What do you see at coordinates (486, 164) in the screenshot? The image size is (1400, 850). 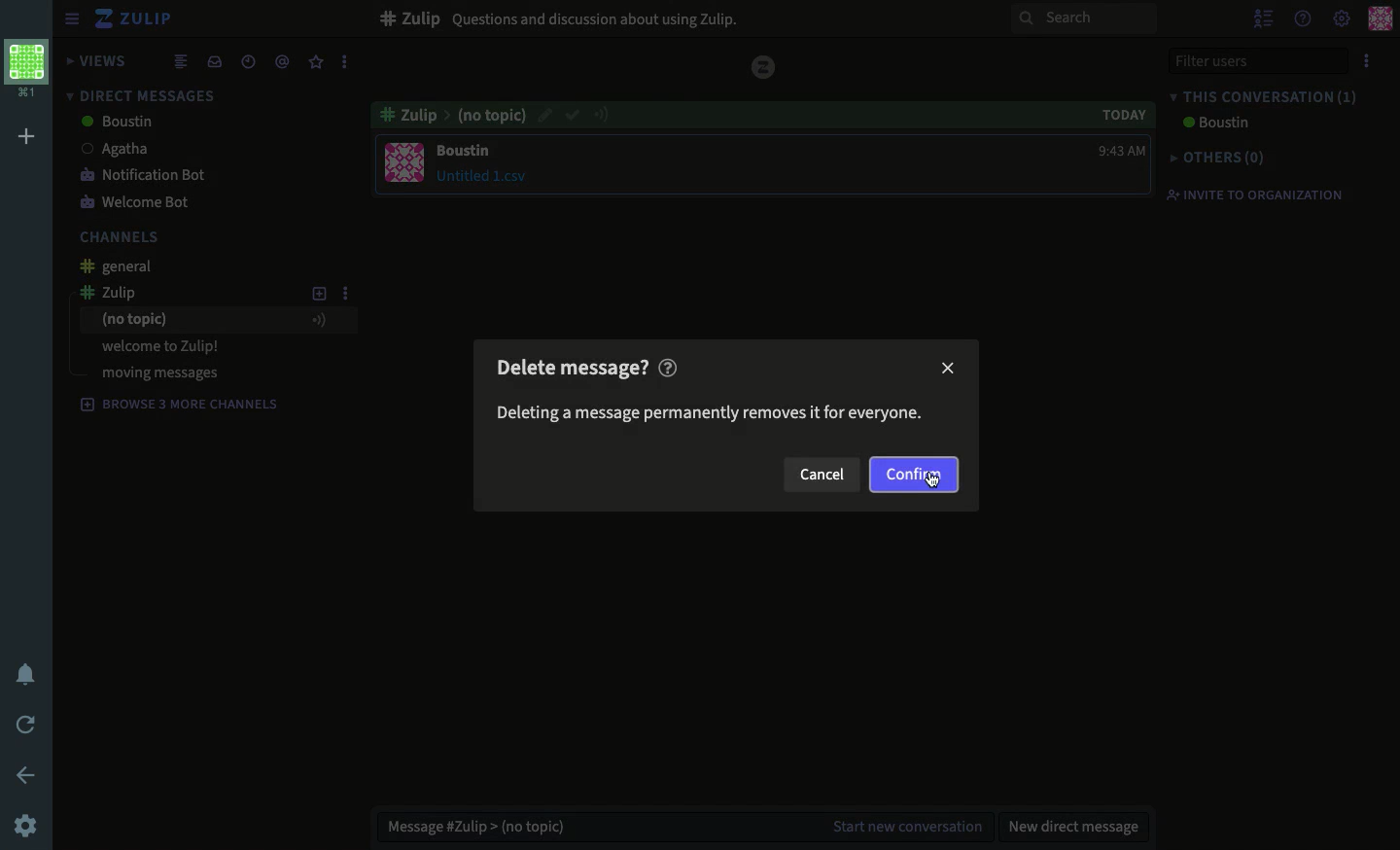 I see `message ` at bounding box center [486, 164].